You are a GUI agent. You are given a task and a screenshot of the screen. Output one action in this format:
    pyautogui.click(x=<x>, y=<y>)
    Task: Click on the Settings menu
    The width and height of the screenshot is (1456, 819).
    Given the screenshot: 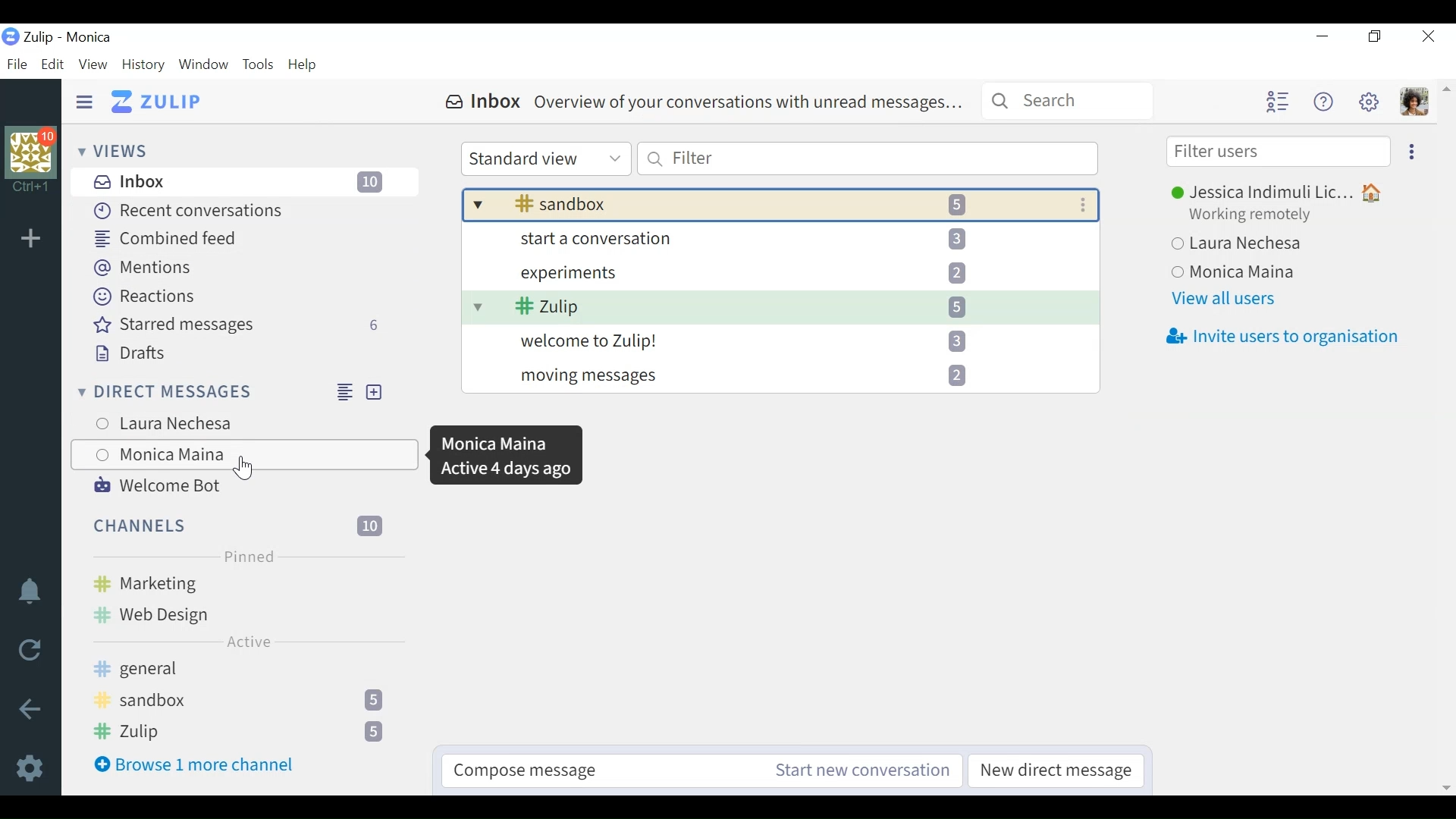 What is the action you would take?
    pyautogui.click(x=1369, y=102)
    